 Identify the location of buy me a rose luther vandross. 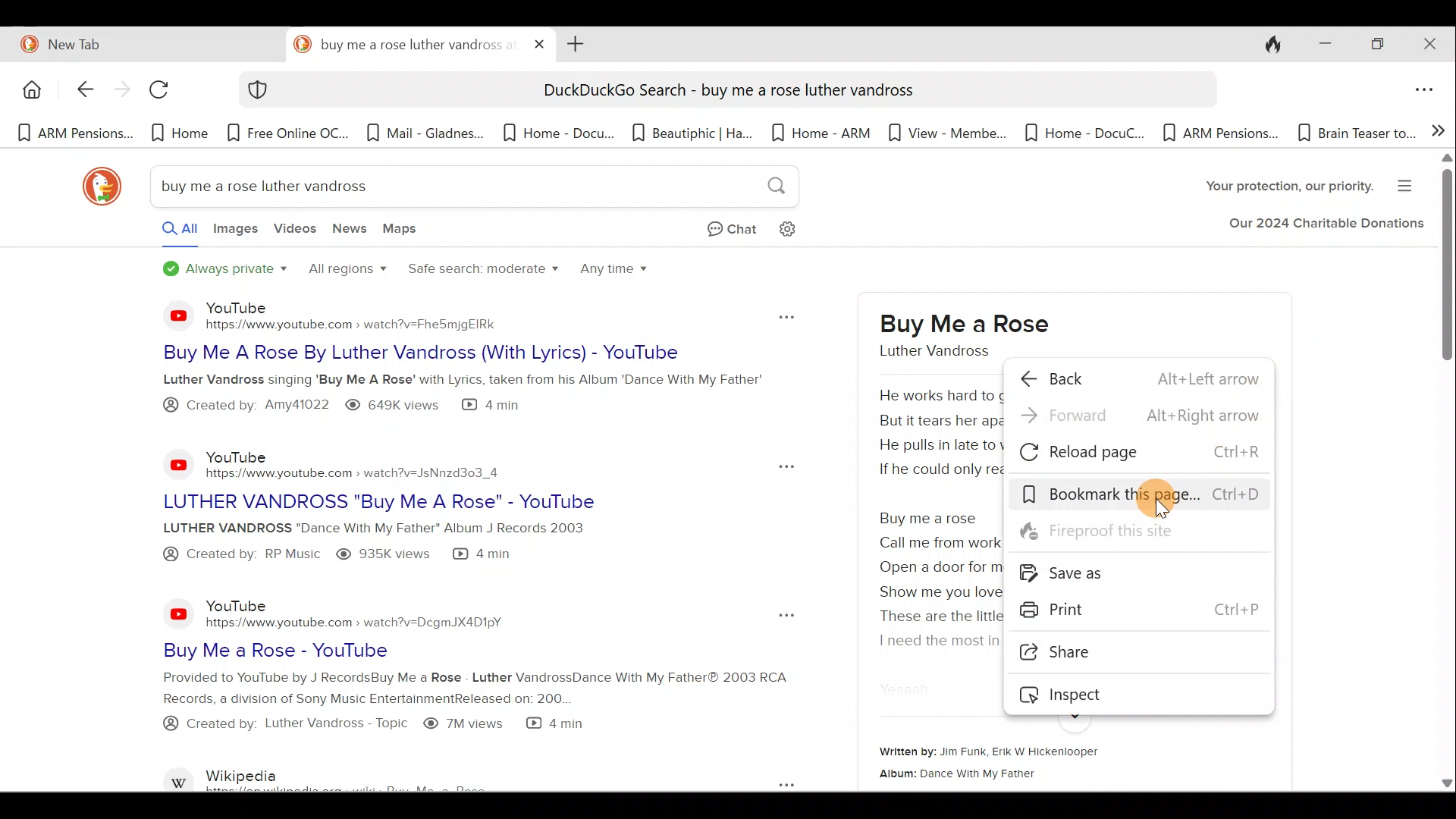
(403, 45).